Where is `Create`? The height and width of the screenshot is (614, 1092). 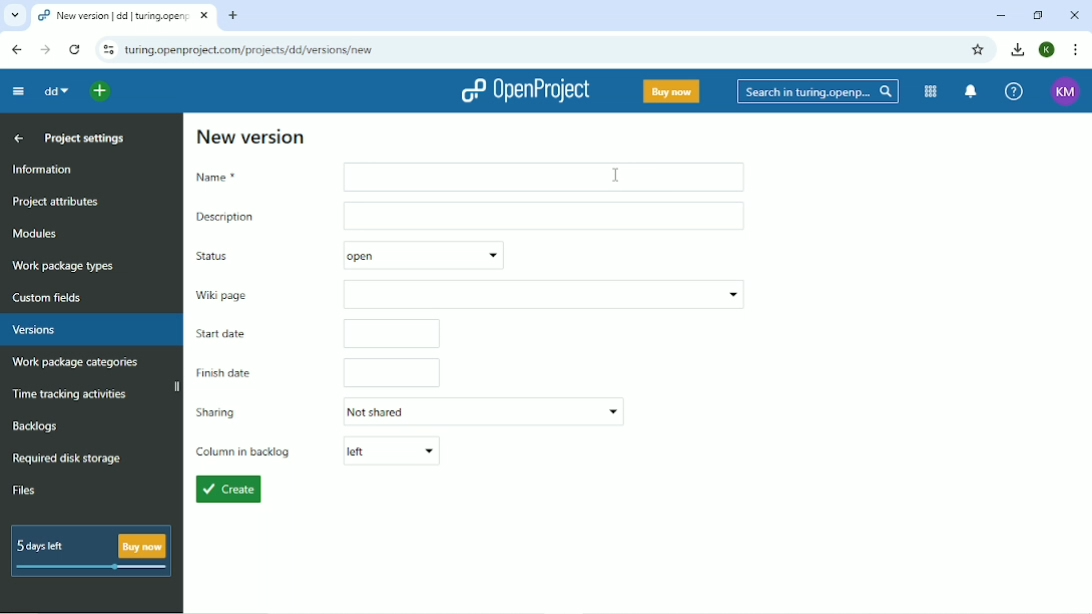
Create is located at coordinates (227, 490).